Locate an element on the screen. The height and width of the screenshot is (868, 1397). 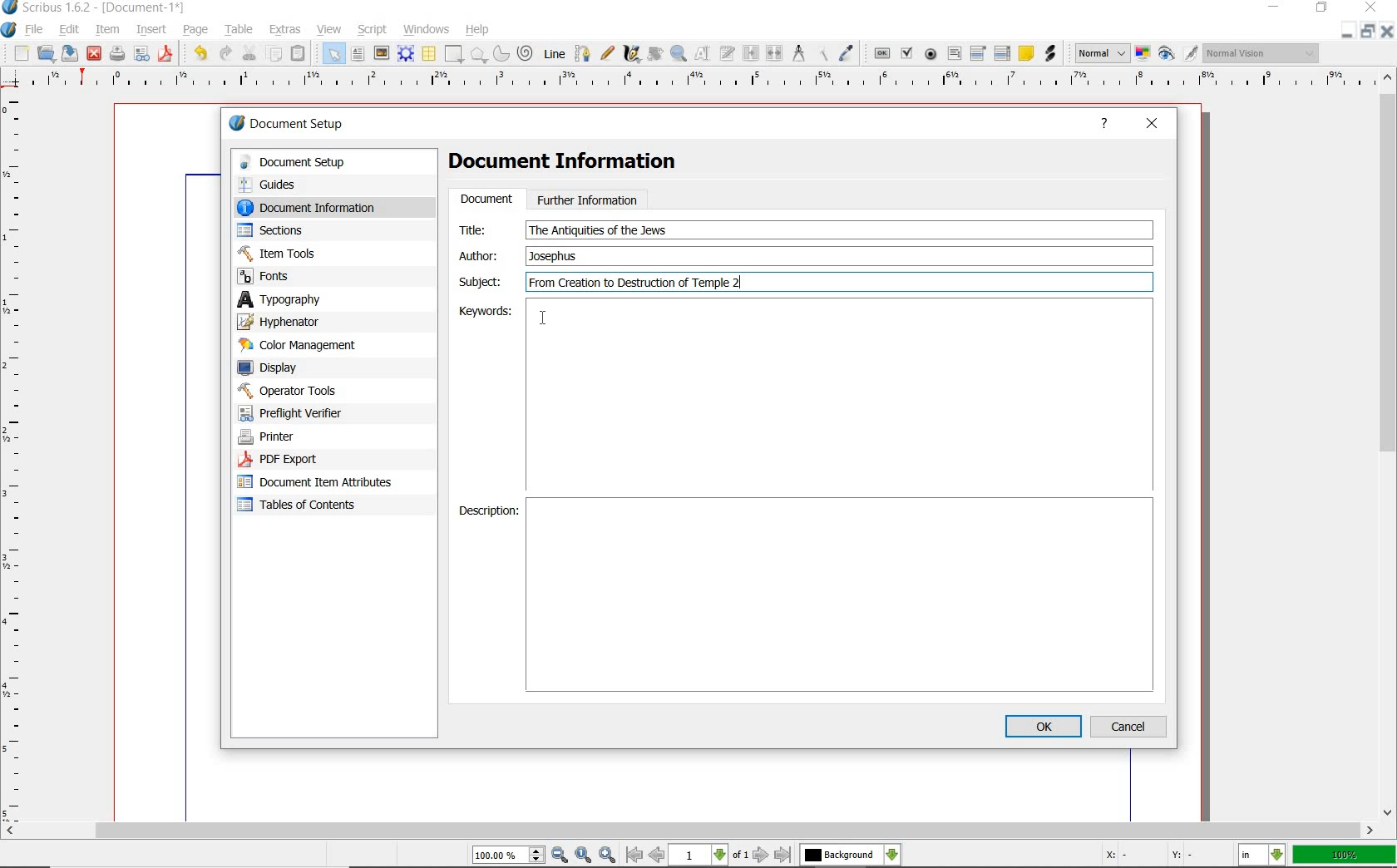
save is located at coordinates (72, 53).